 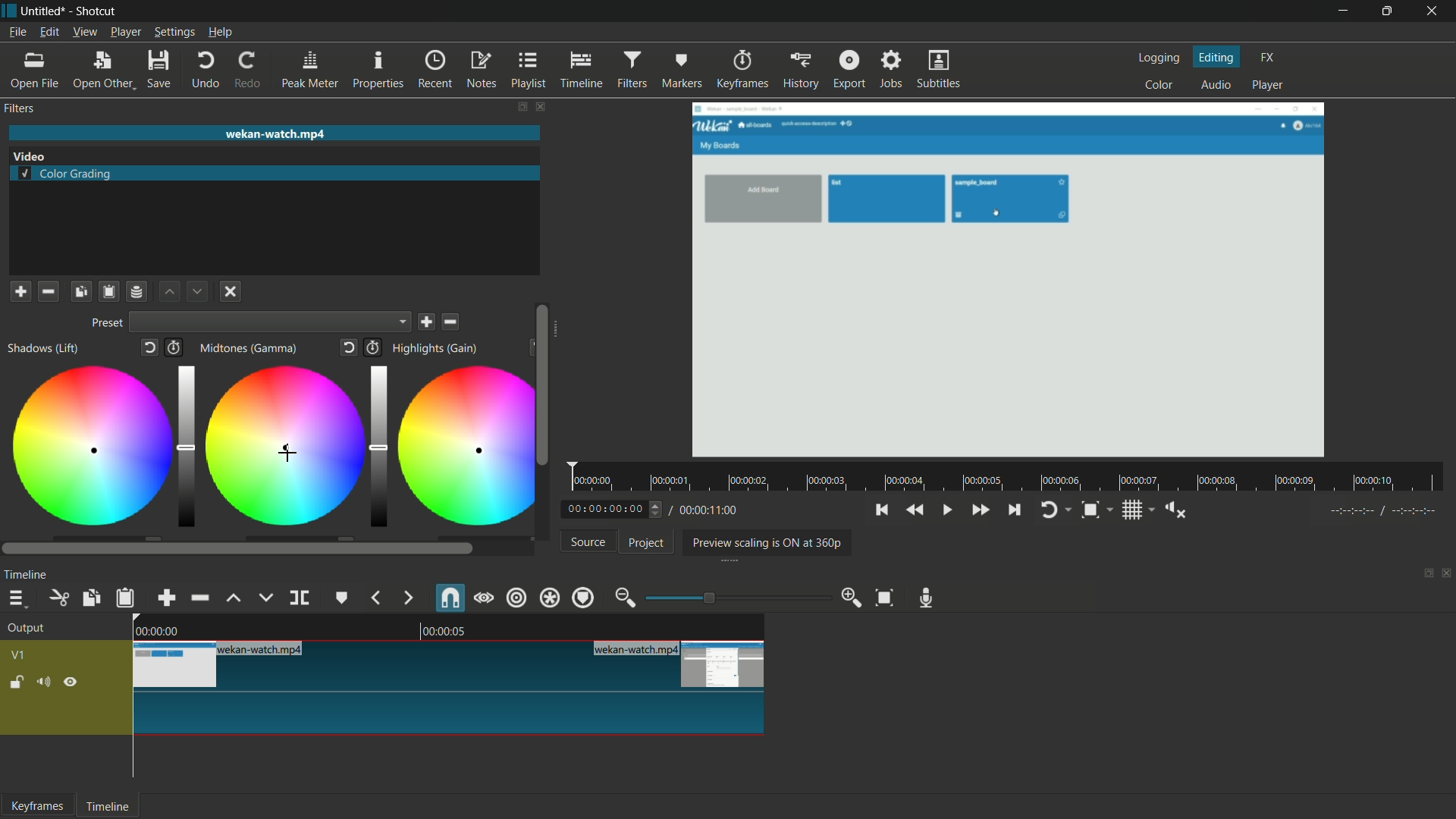 I want to click on scroll bar, so click(x=238, y=549).